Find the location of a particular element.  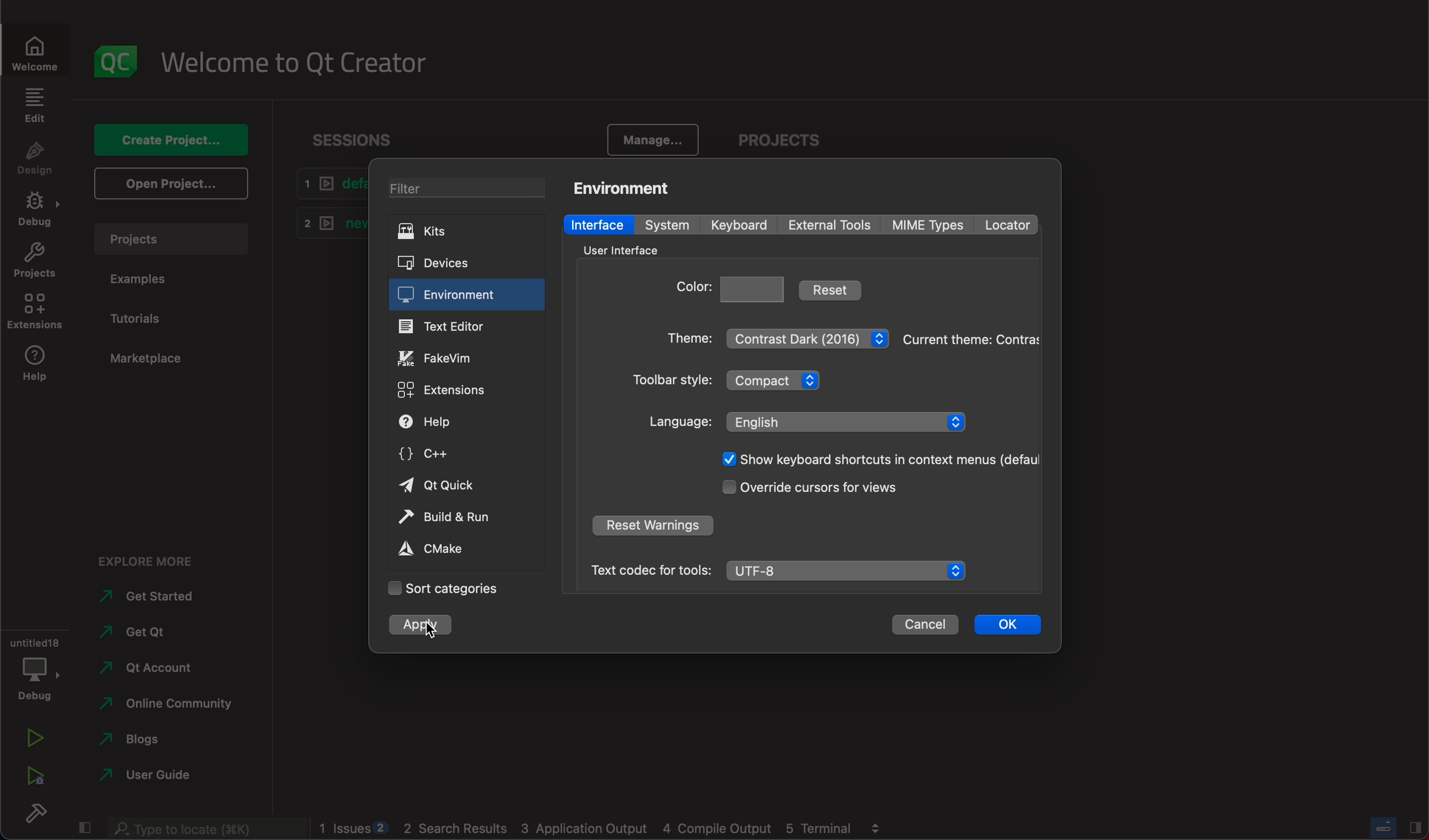

debug is located at coordinates (33, 664).